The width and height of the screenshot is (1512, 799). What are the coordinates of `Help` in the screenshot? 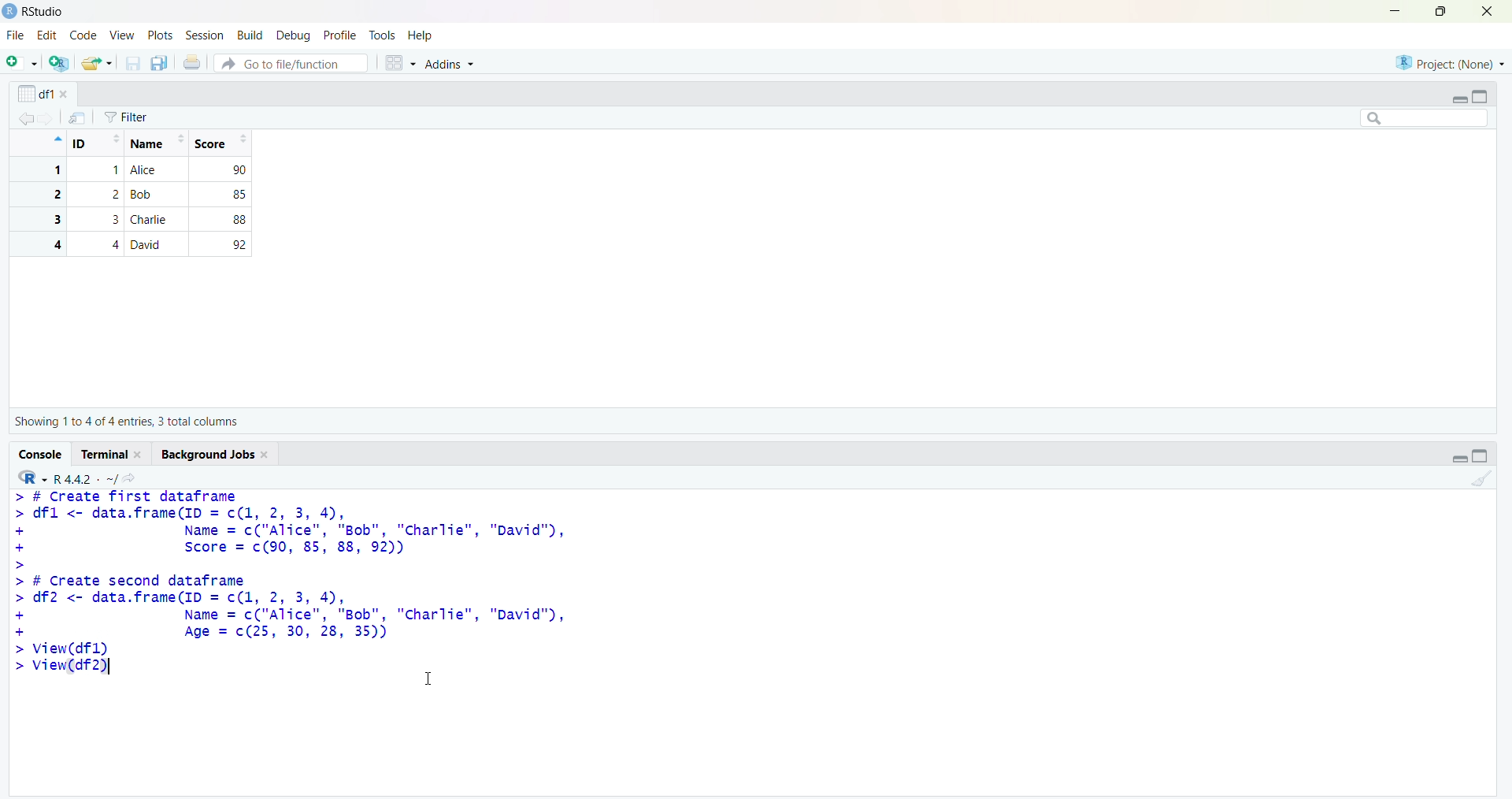 It's located at (420, 35).